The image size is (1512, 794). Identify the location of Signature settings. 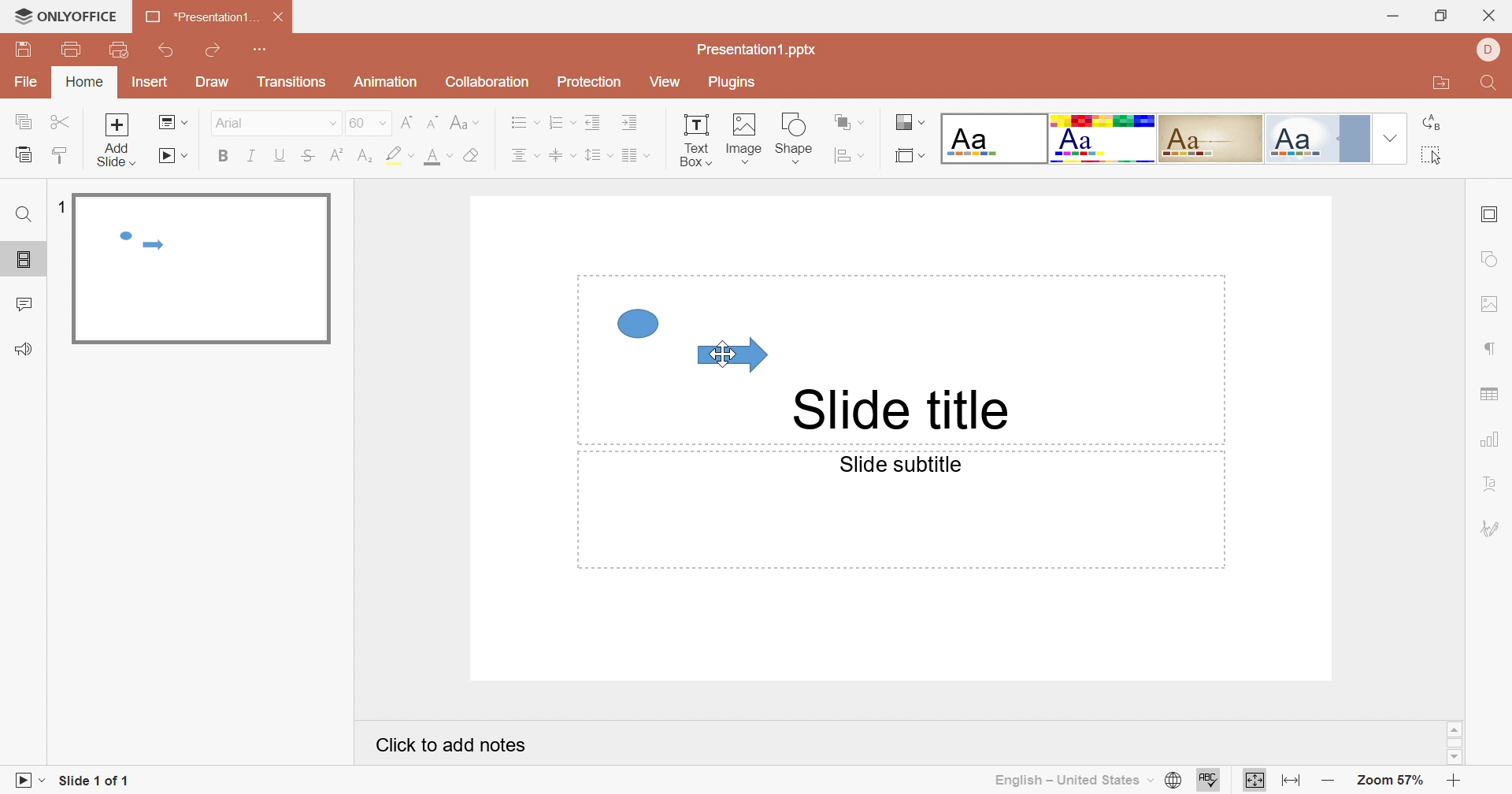
(1492, 532).